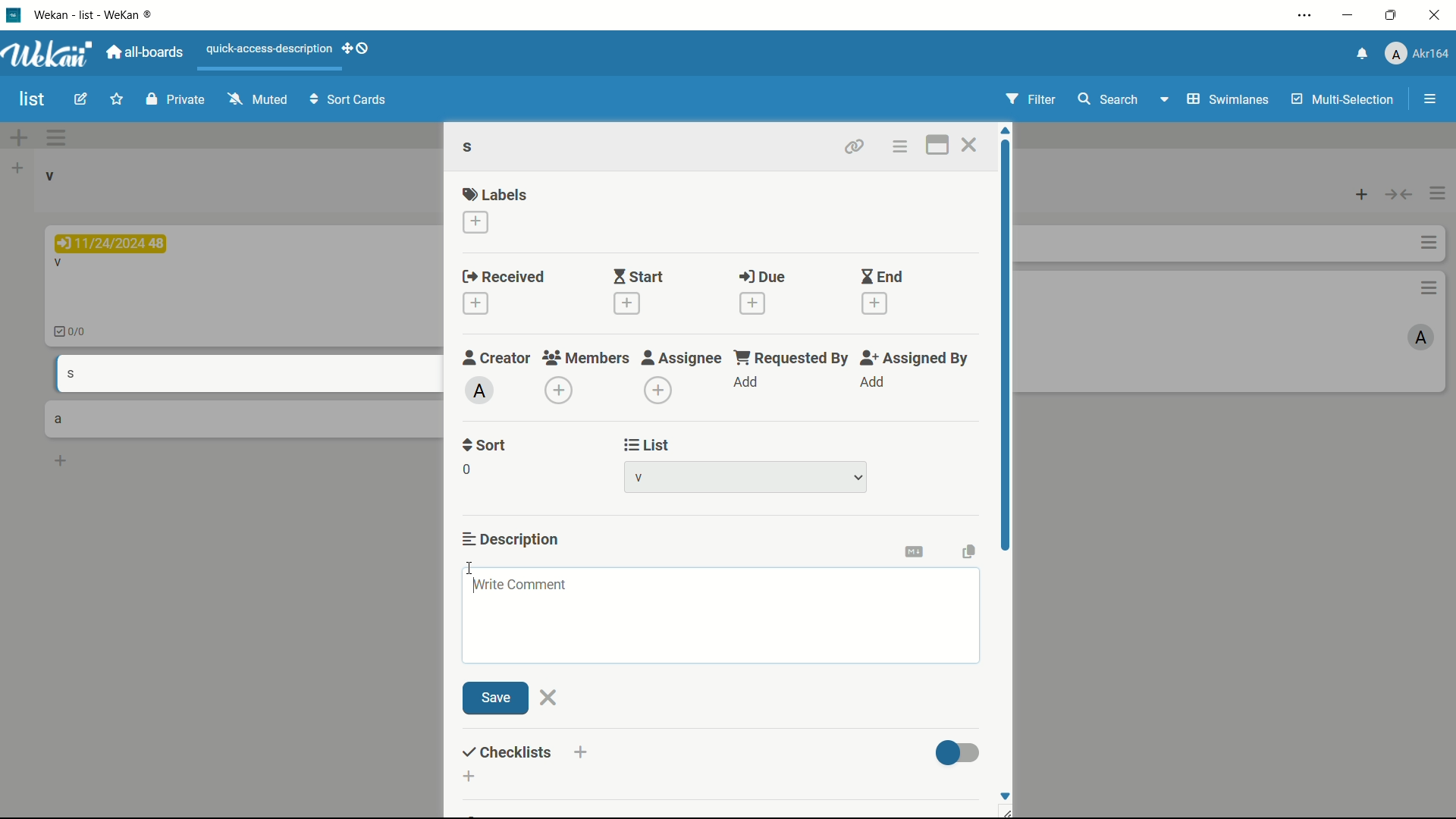 The height and width of the screenshot is (819, 1456). Describe the element at coordinates (1430, 99) in the screenshot. I see `open/close sidebar` at that location.